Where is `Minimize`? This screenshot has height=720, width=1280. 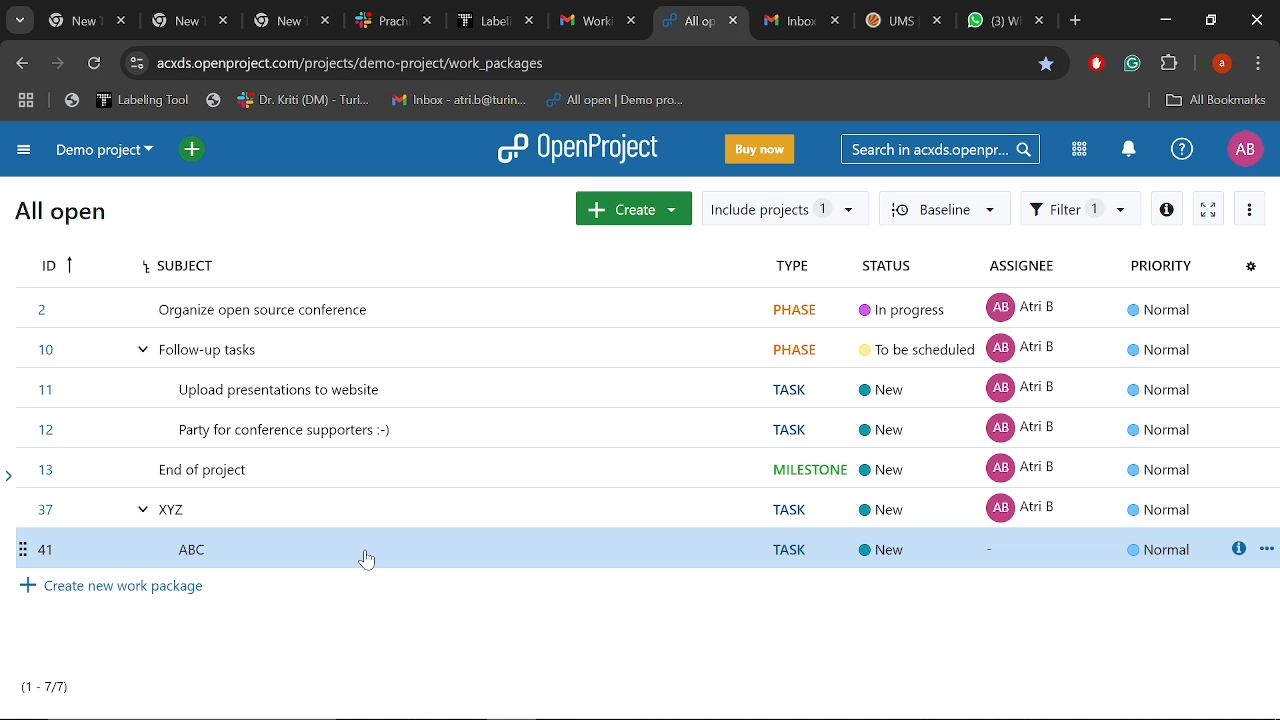 Minimize is located at coordinates (1165, 19).